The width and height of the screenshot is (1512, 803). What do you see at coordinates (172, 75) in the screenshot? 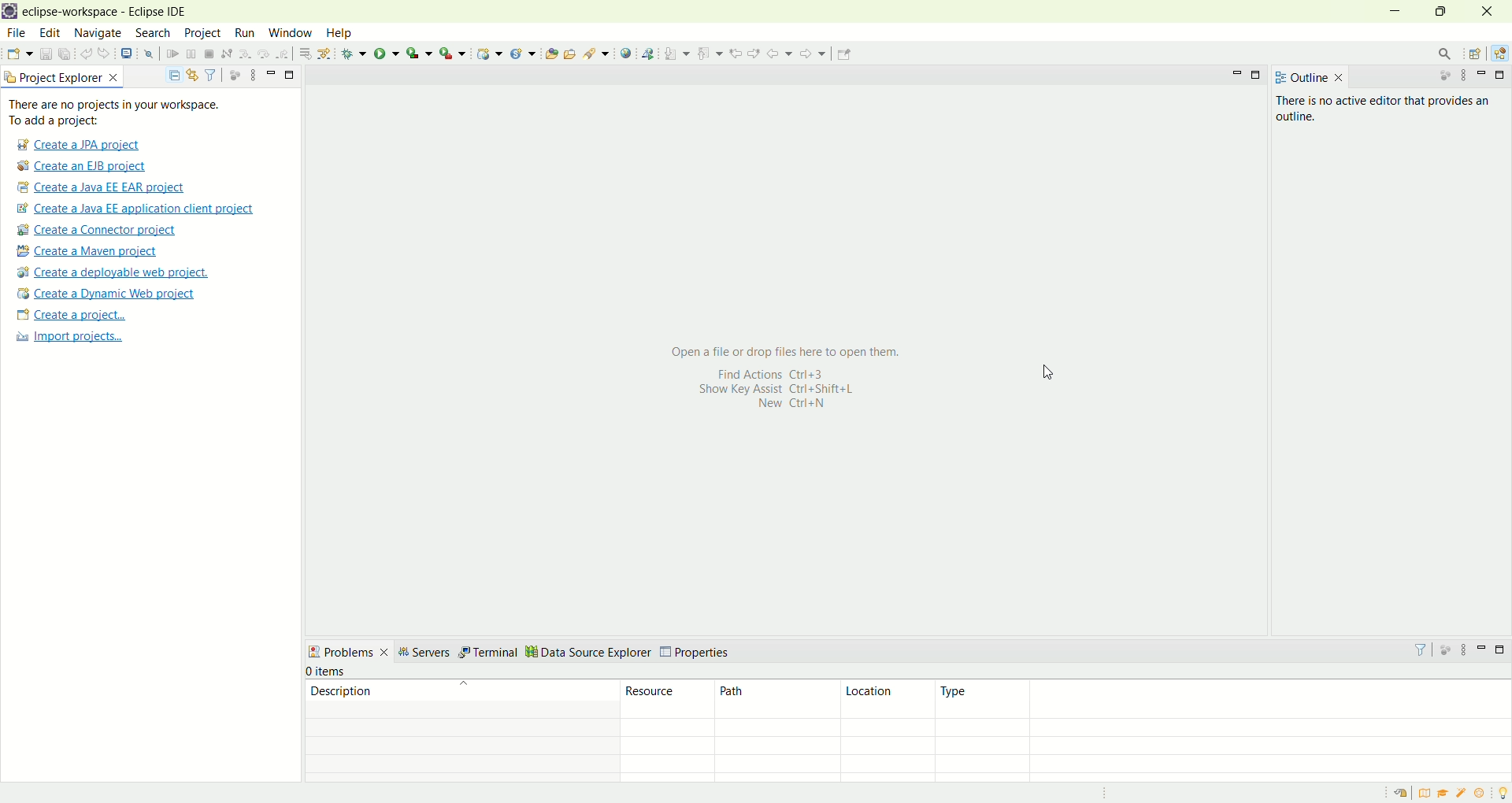
I see `collapse all` at bounding box center [172, 75].